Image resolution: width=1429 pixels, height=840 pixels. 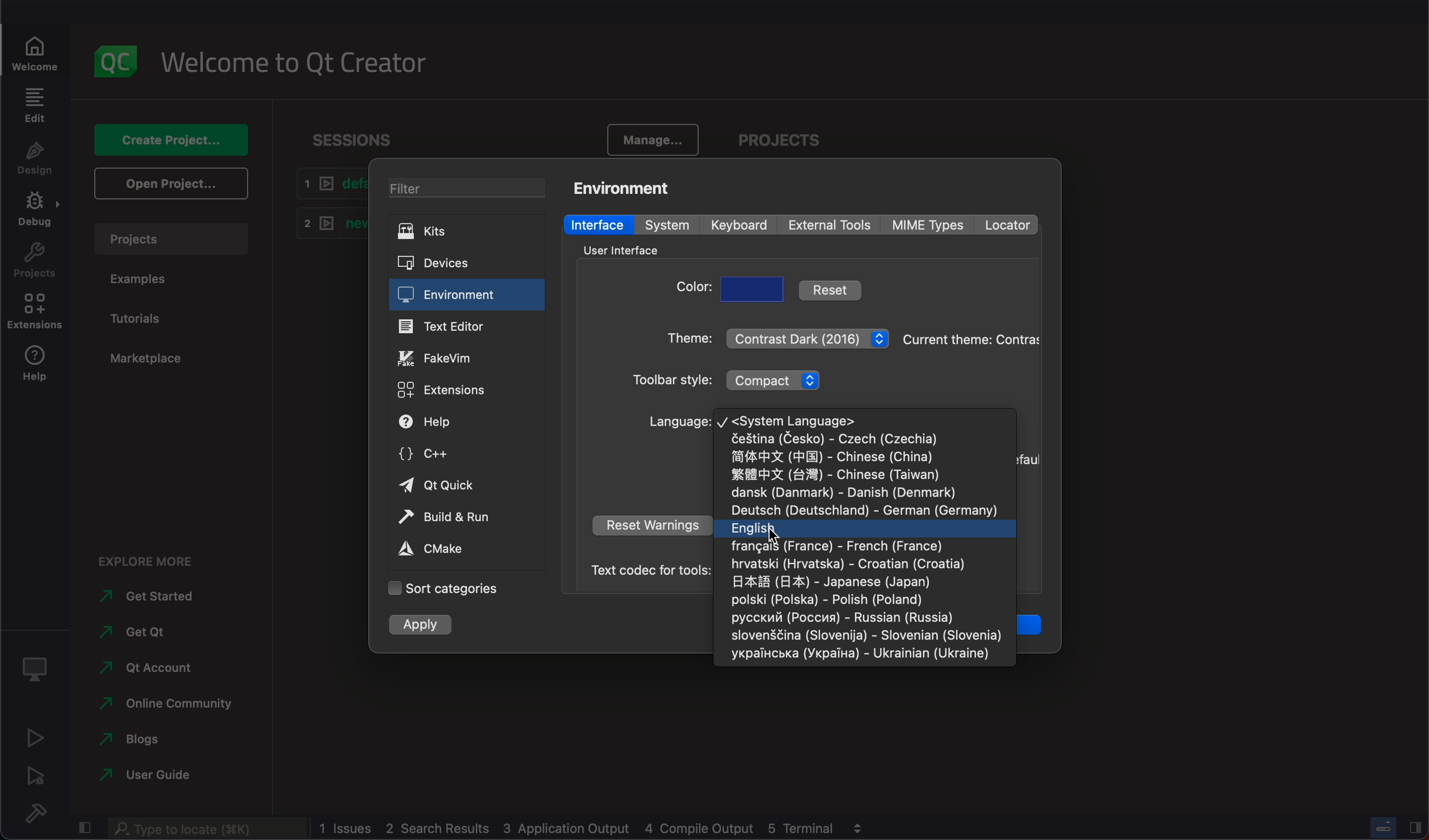 I want to click on get started, so click(x=145, y=597).